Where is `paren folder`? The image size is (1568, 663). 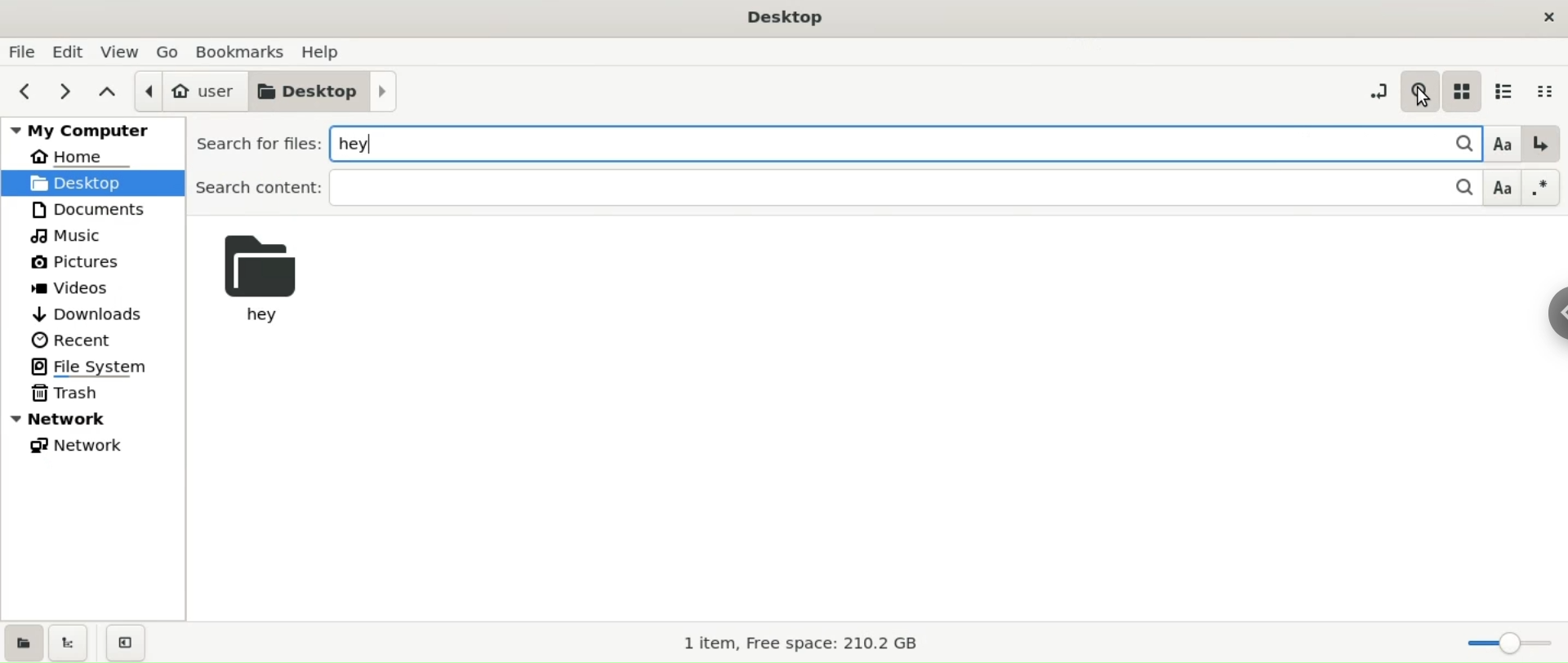 paren folder is located at coordinates (106, 92).